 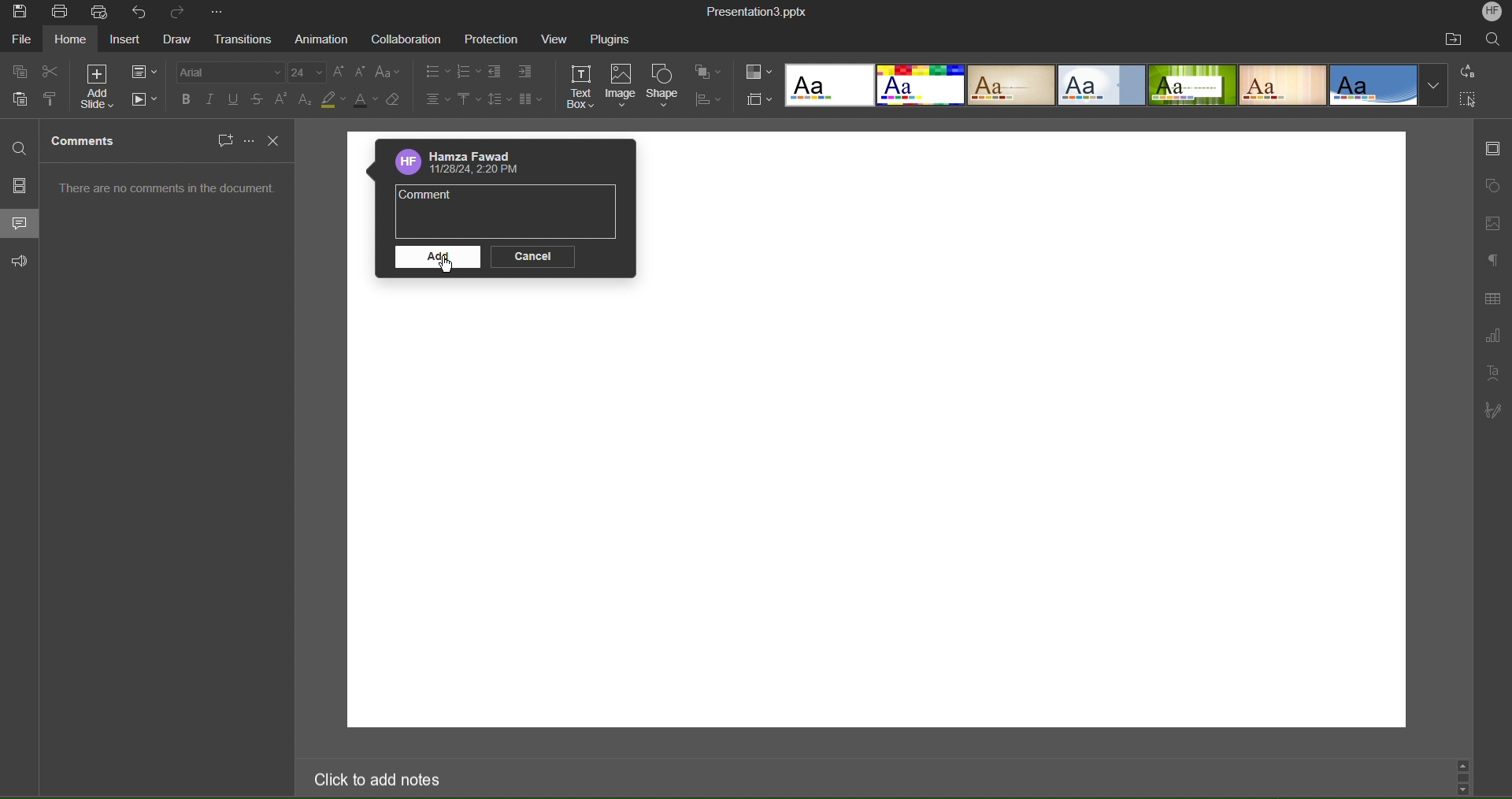 I want to click on Comments, so click(x=20, y=222).